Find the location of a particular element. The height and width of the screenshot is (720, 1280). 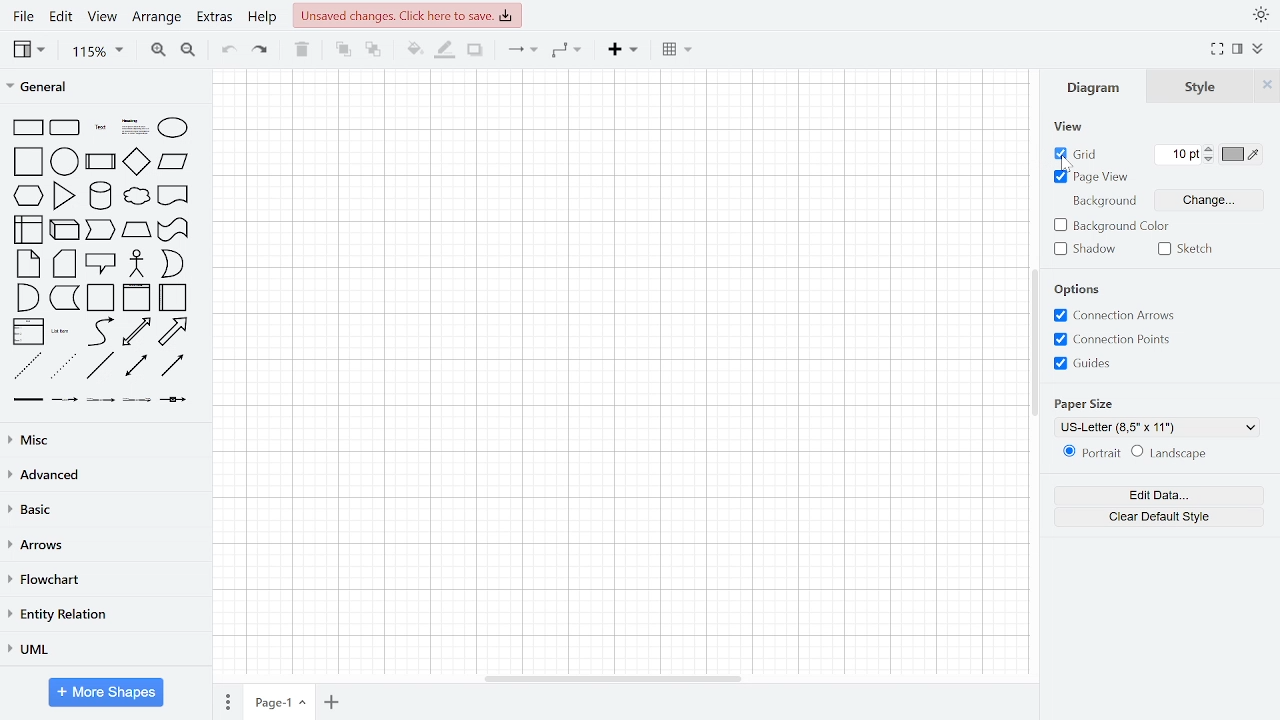

connection arrows is located at coordinates (1118, 316).